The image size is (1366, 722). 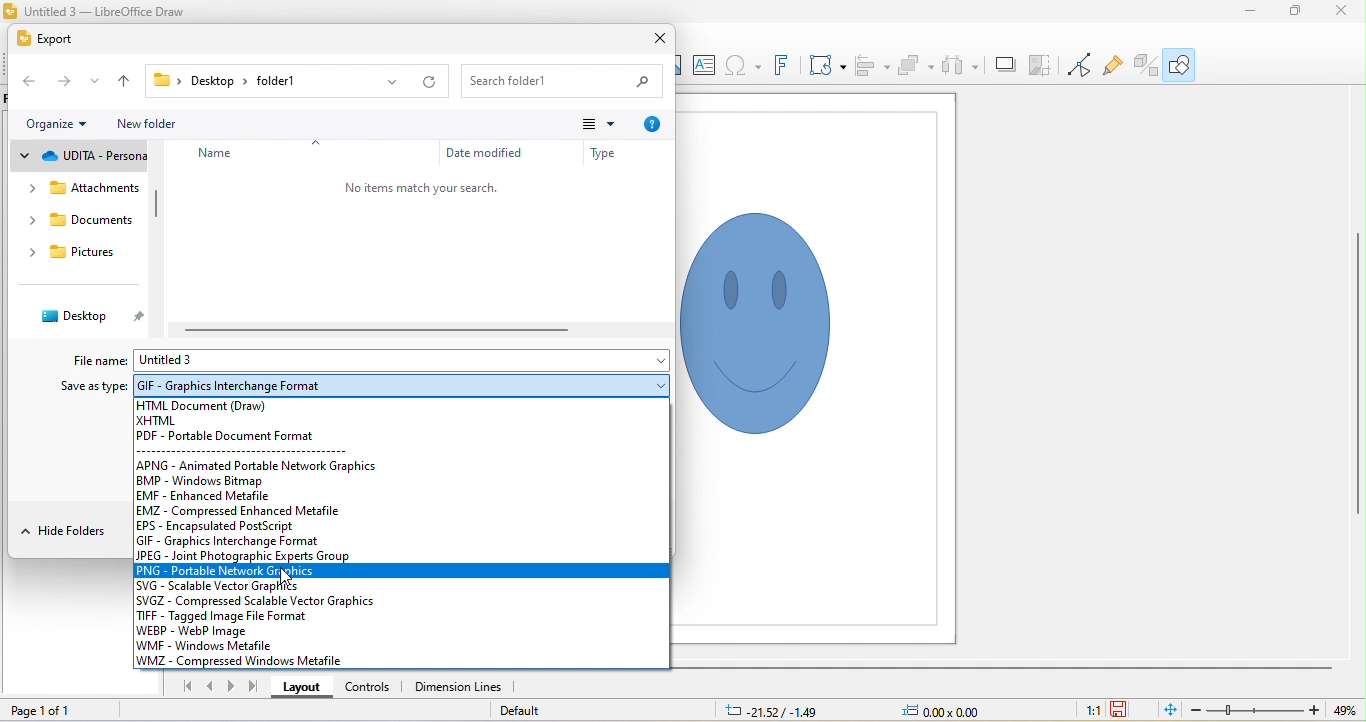 I want to click on crop, so click(x=1042, y=65).